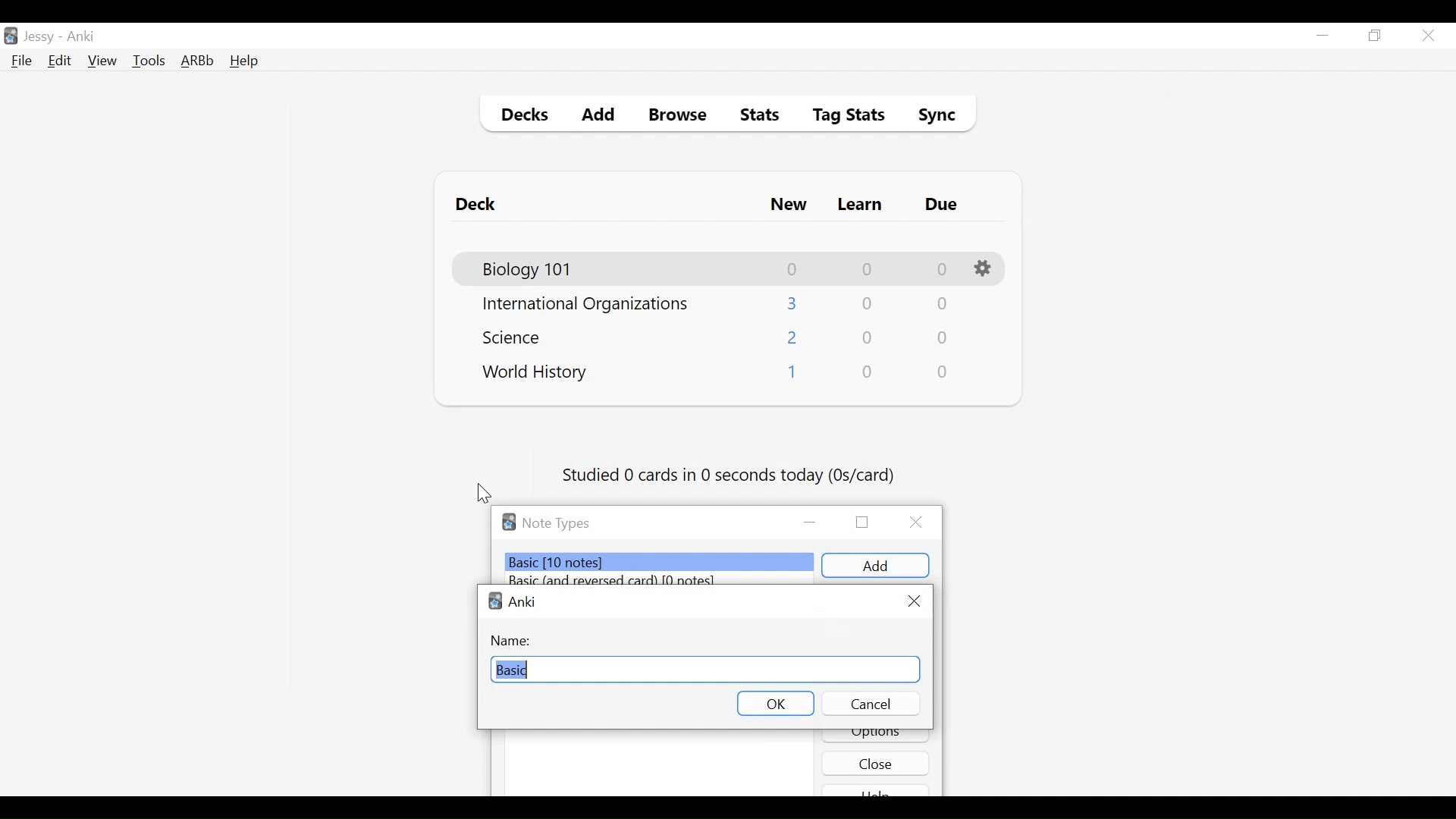 Image resolution: width=1456 pixels, height=819 pixels. What do you see at coordinates (931, 117) in the screenshot?
I see `Sybc` at bounding box center [931, 117].